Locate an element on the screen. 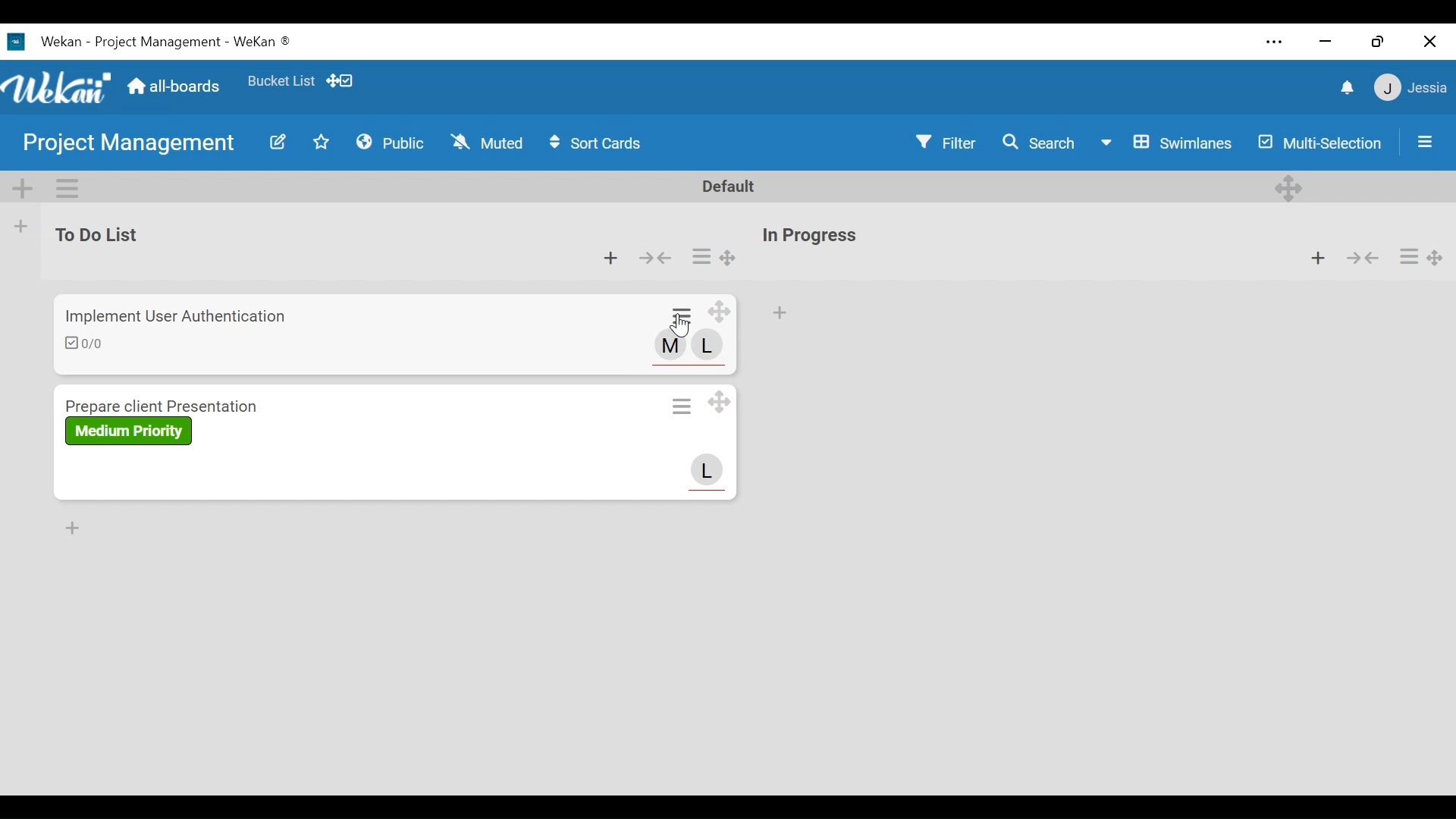 The image size is (1456, 819). Checklist is located at coordinates (89, 344).